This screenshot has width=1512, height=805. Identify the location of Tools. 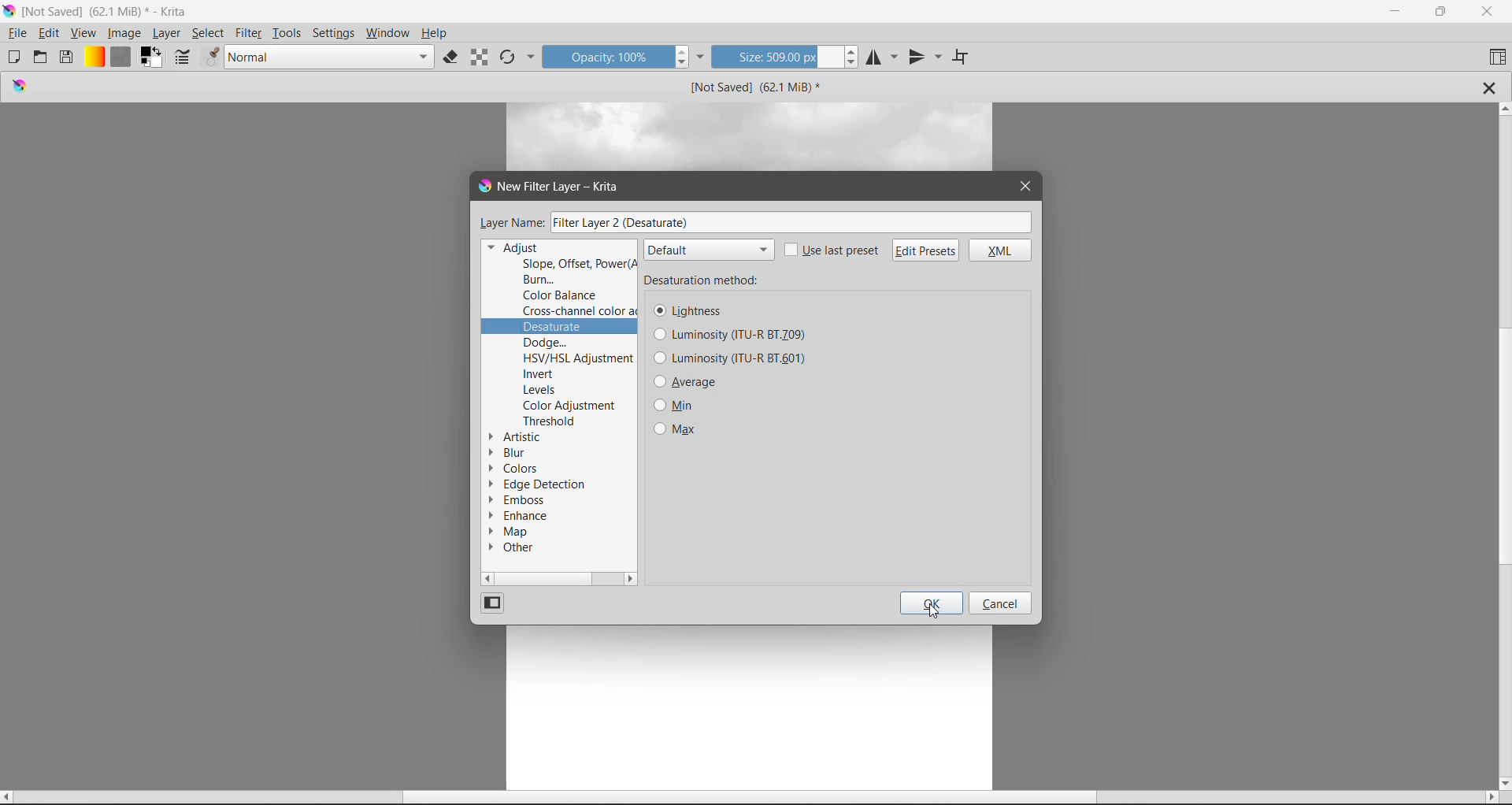
(289, 31).